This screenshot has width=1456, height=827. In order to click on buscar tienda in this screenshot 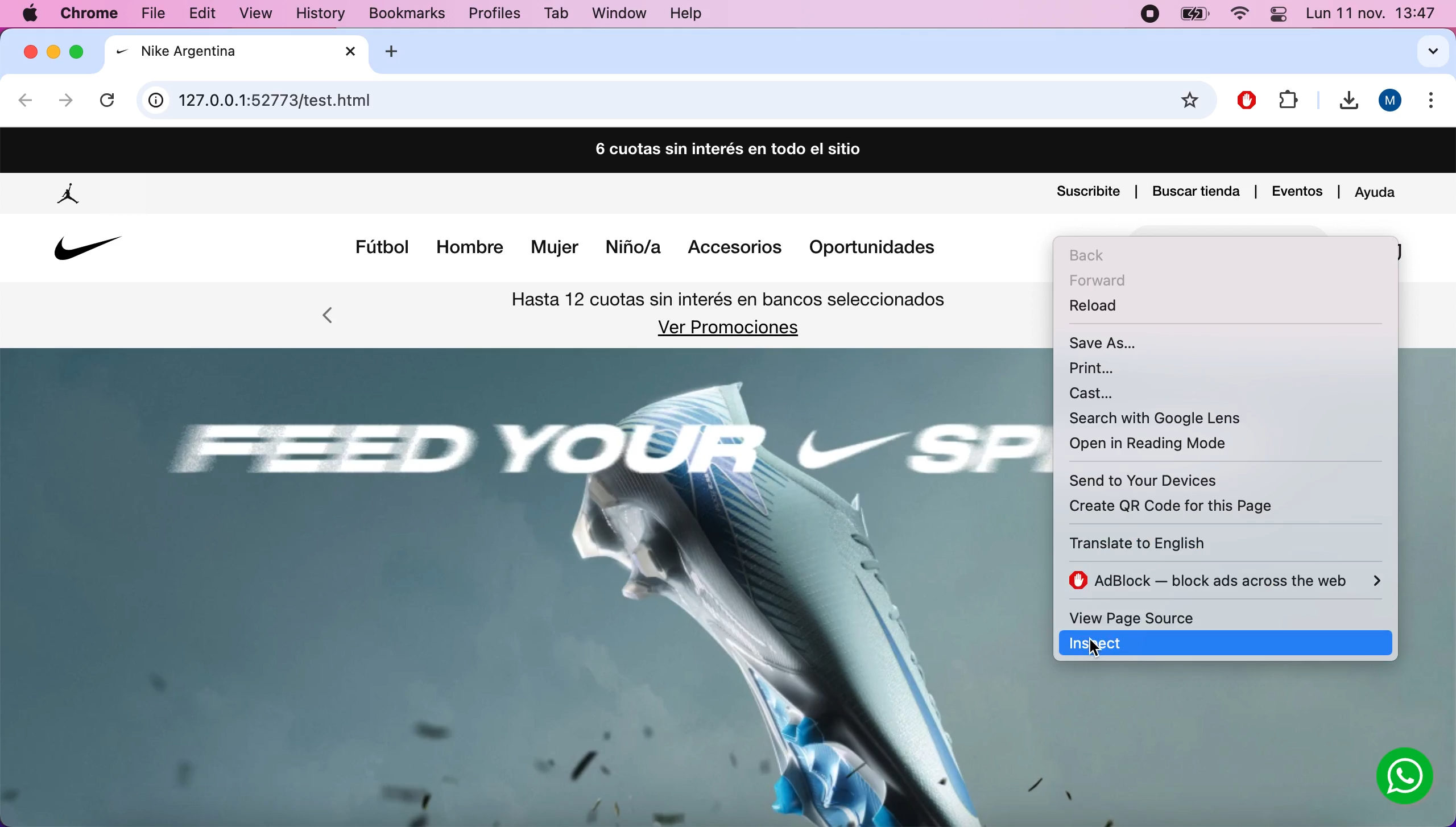, I will do `click(1196, 189)`.